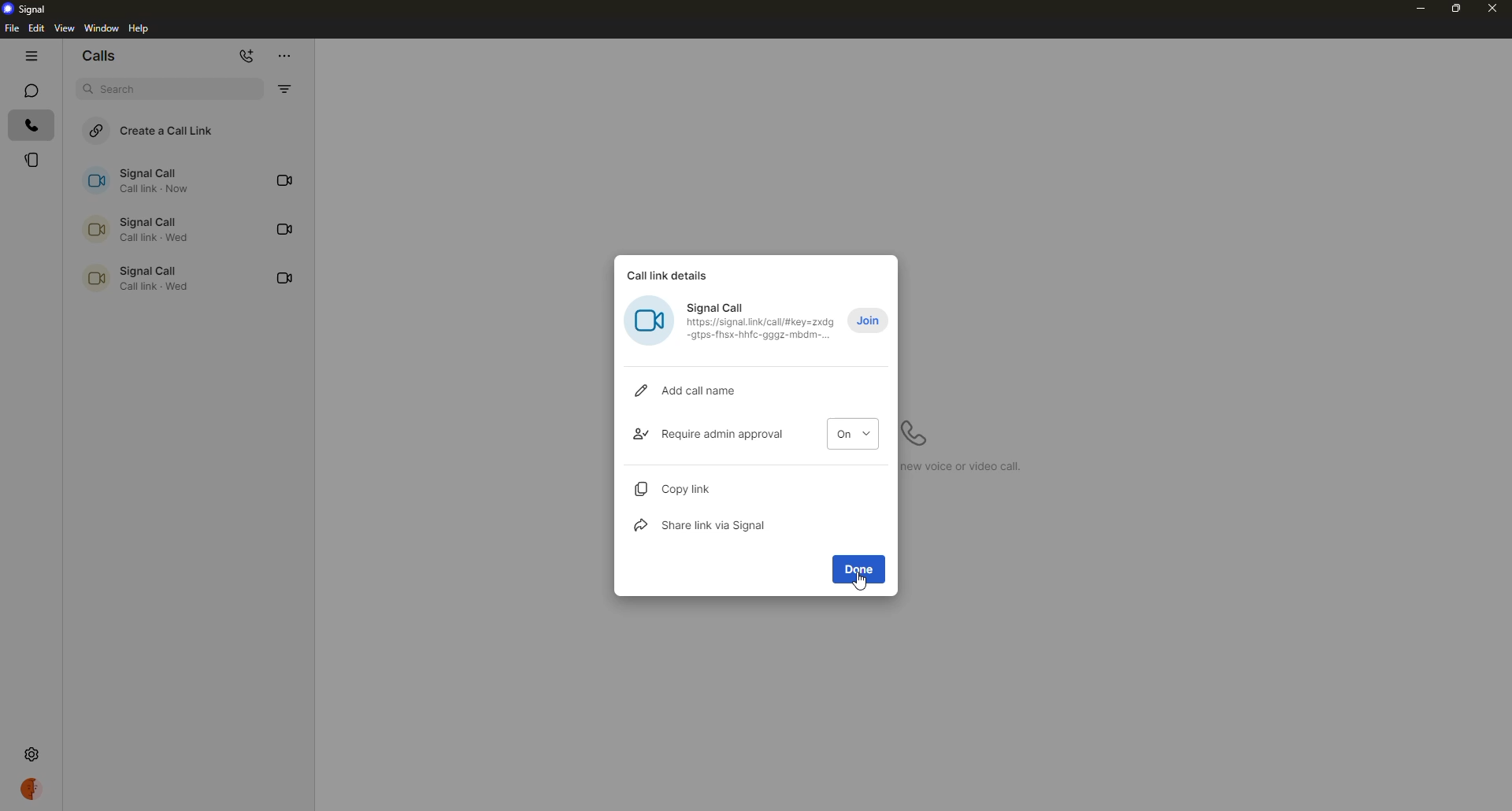  I want to click on video, so click(285, 277).